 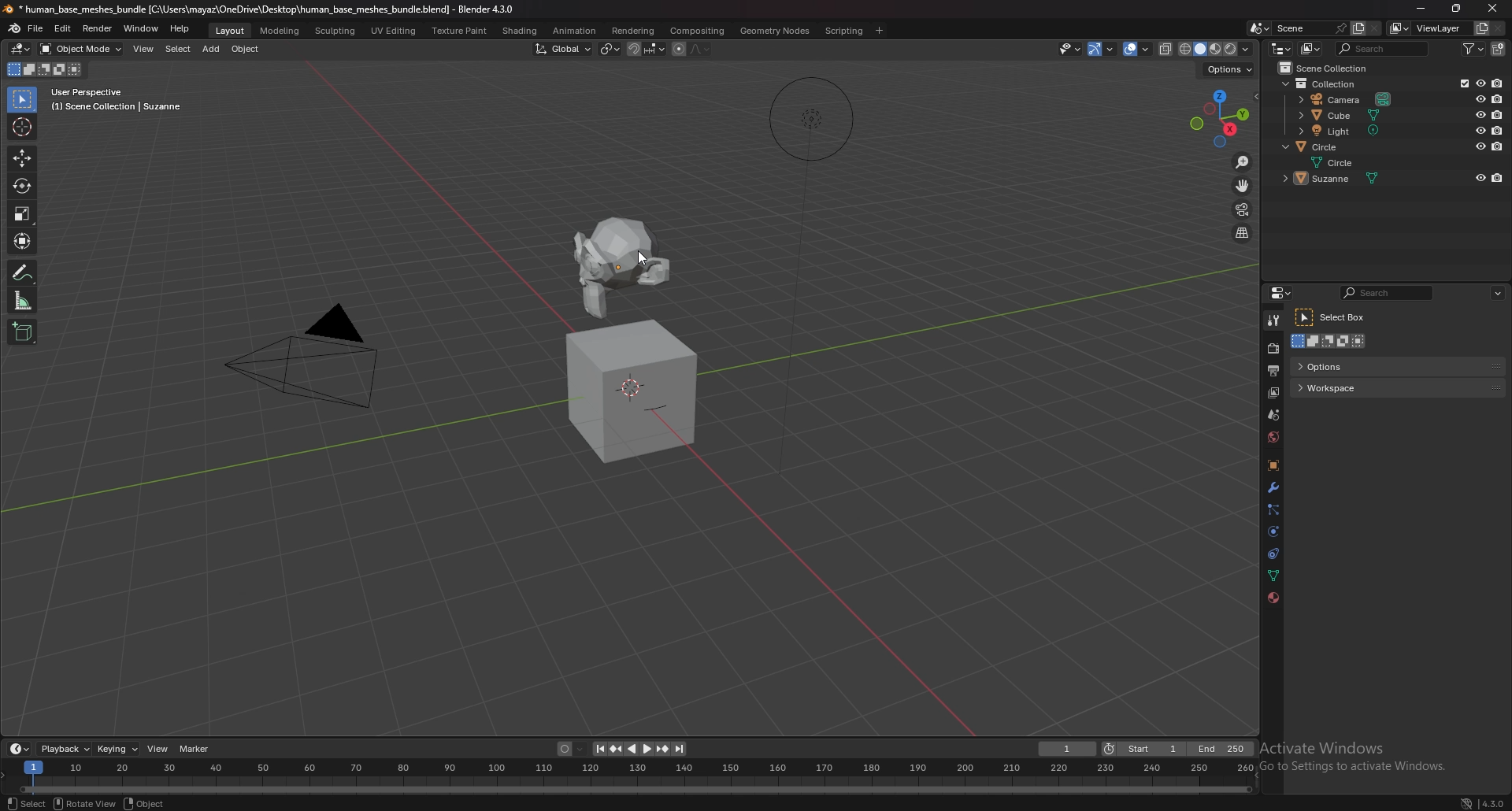 What do you see at coordinates (1243, 233) in the screenshot?
I see `perspective/prthographic` at bounding box center [1243, 233].